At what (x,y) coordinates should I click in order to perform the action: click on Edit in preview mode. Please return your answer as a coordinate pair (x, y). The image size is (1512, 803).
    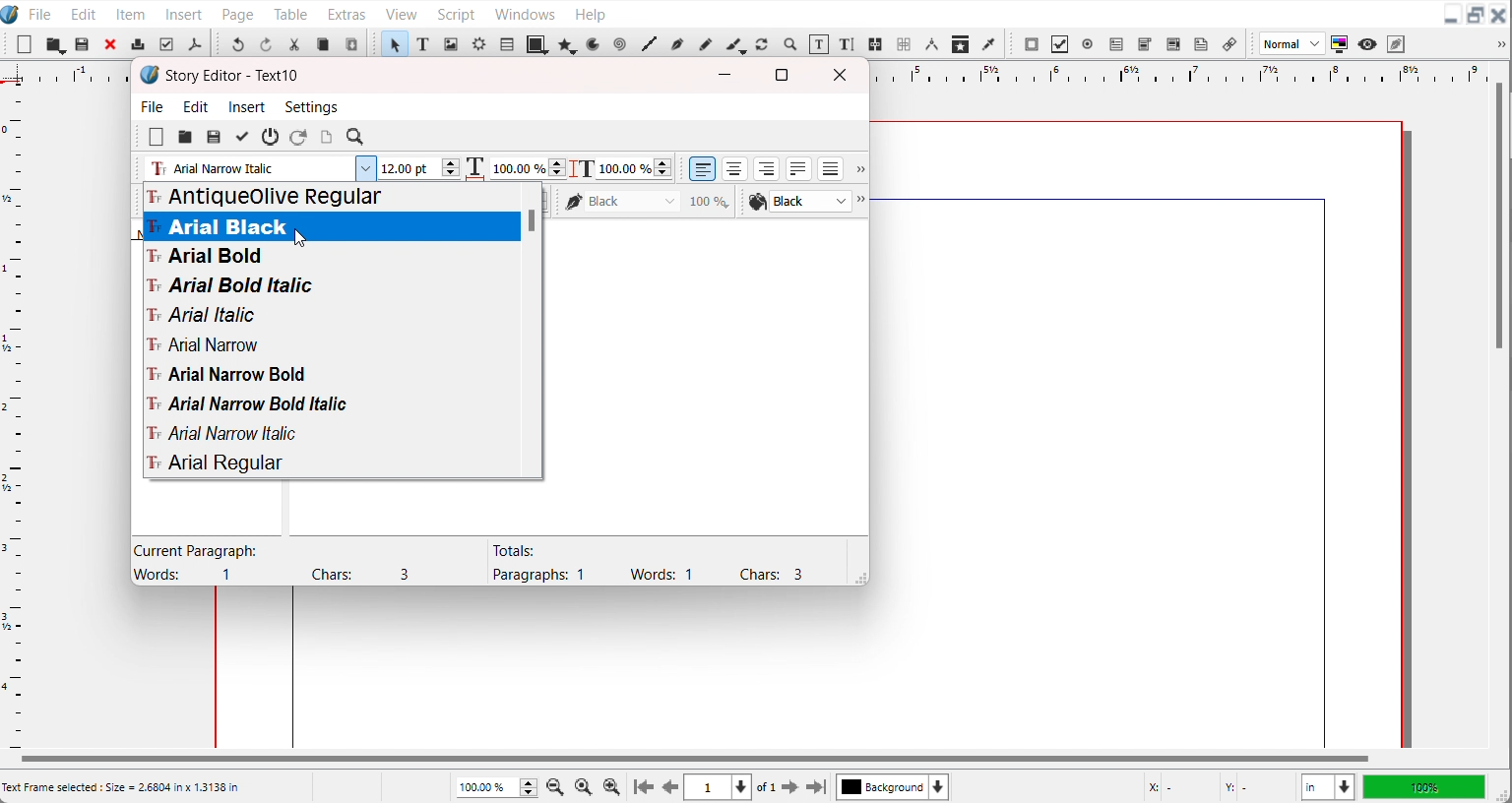
    Looking at the image, I should click on (1397, 43).